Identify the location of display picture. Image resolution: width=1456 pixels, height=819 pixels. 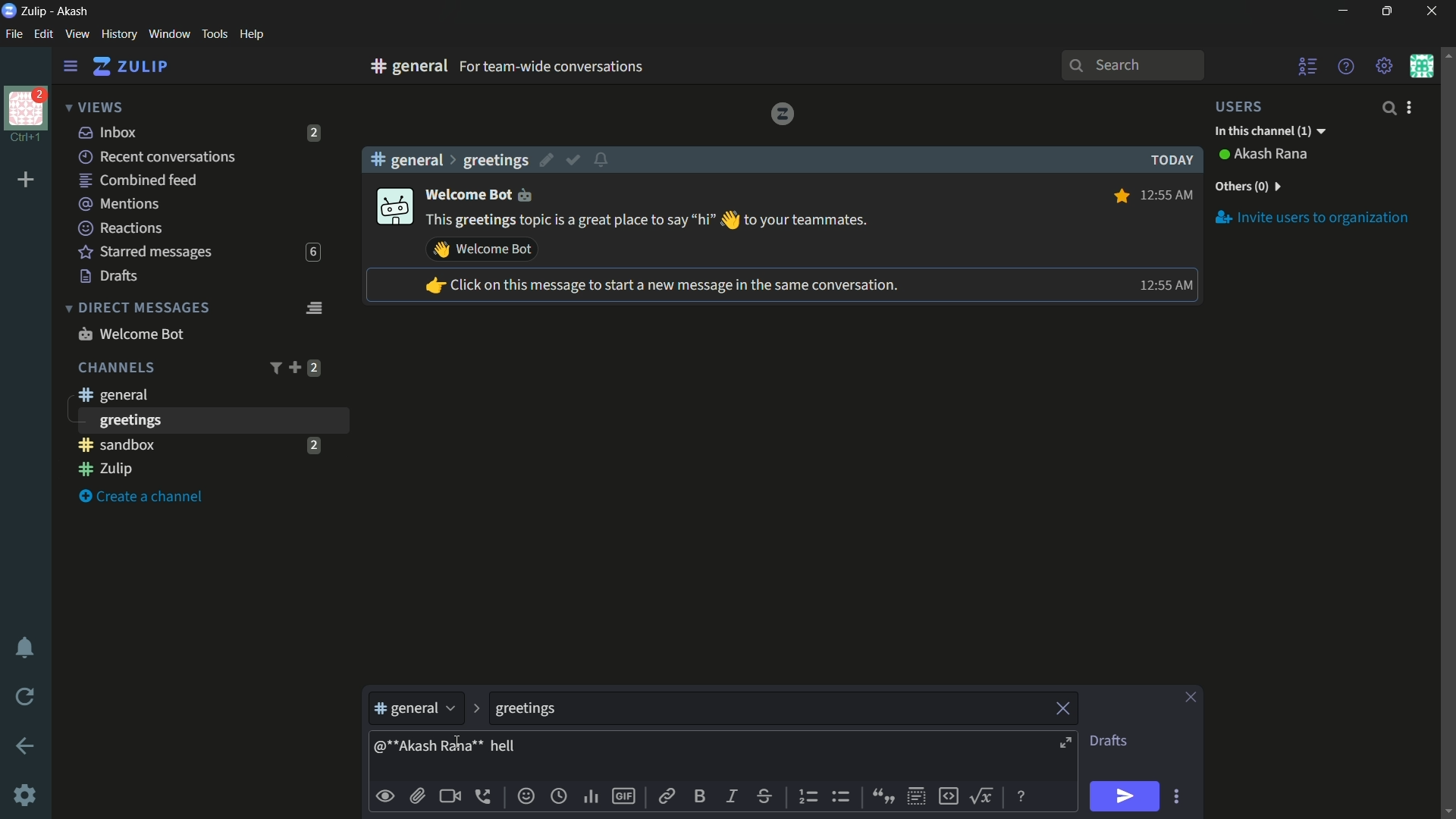
(393, 208).